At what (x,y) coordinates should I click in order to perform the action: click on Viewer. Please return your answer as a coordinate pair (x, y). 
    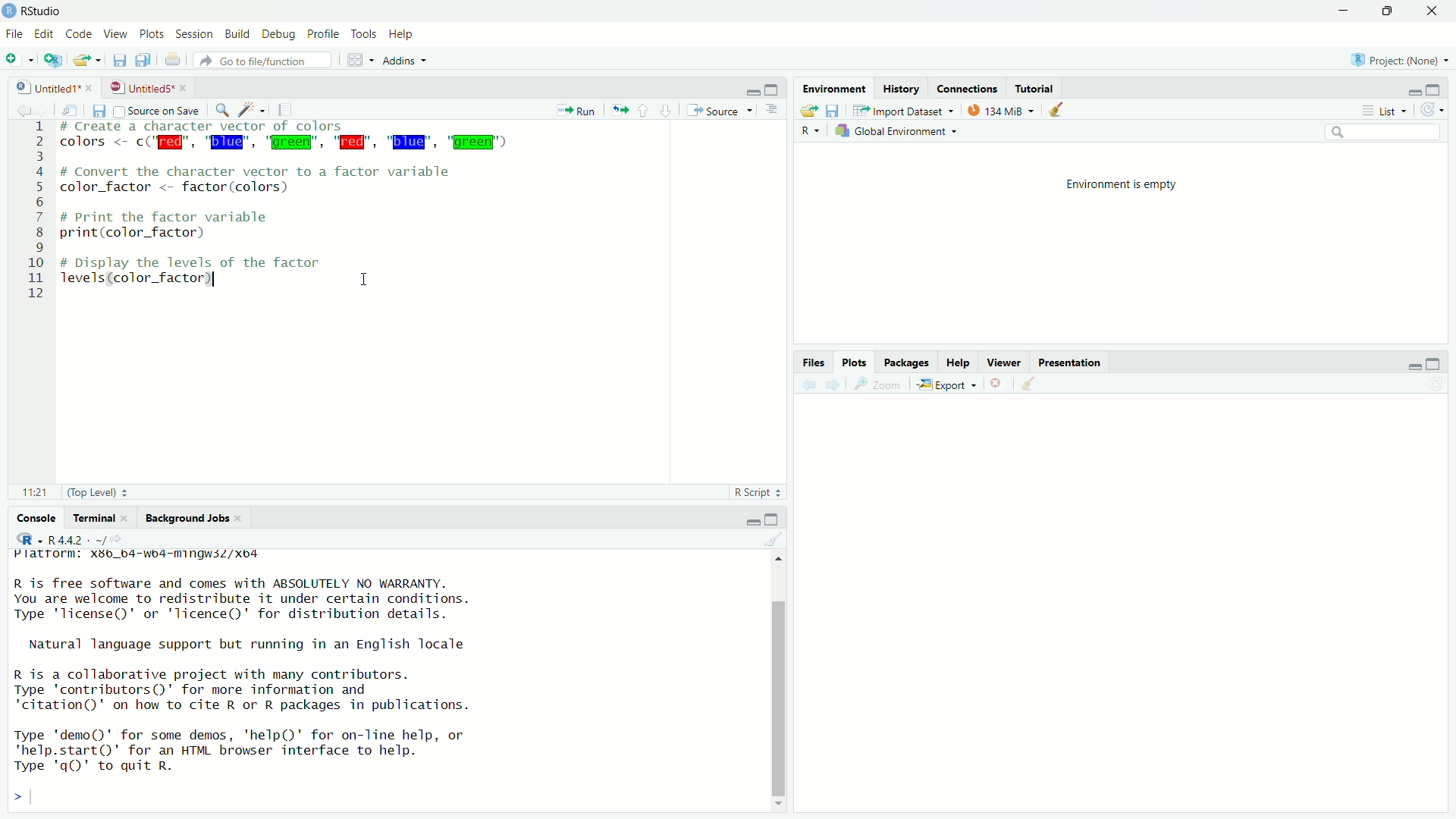
    Looking at the image, I should click on (1005, 362).